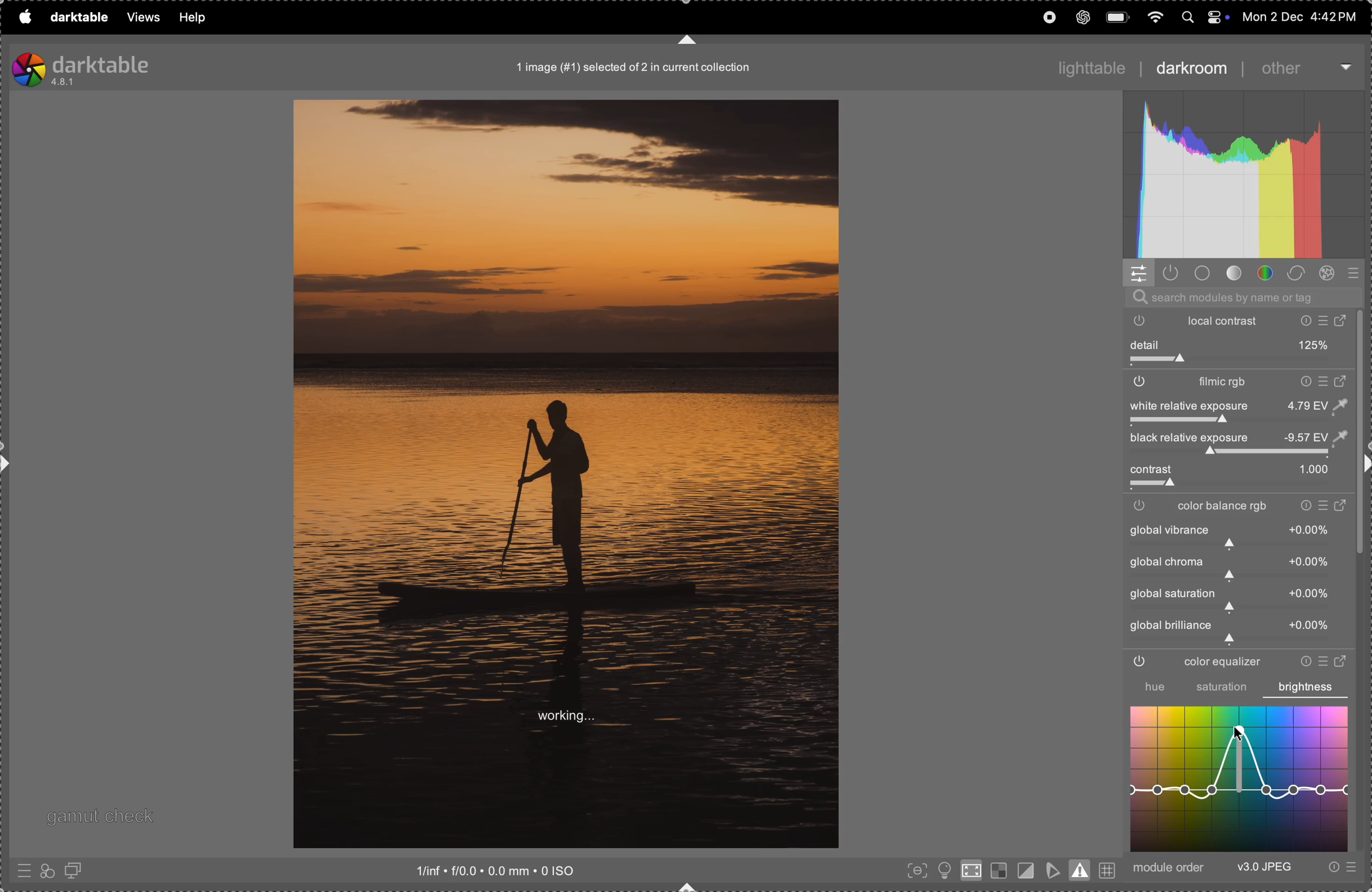  I want to click on hue, so click(1148, 687).